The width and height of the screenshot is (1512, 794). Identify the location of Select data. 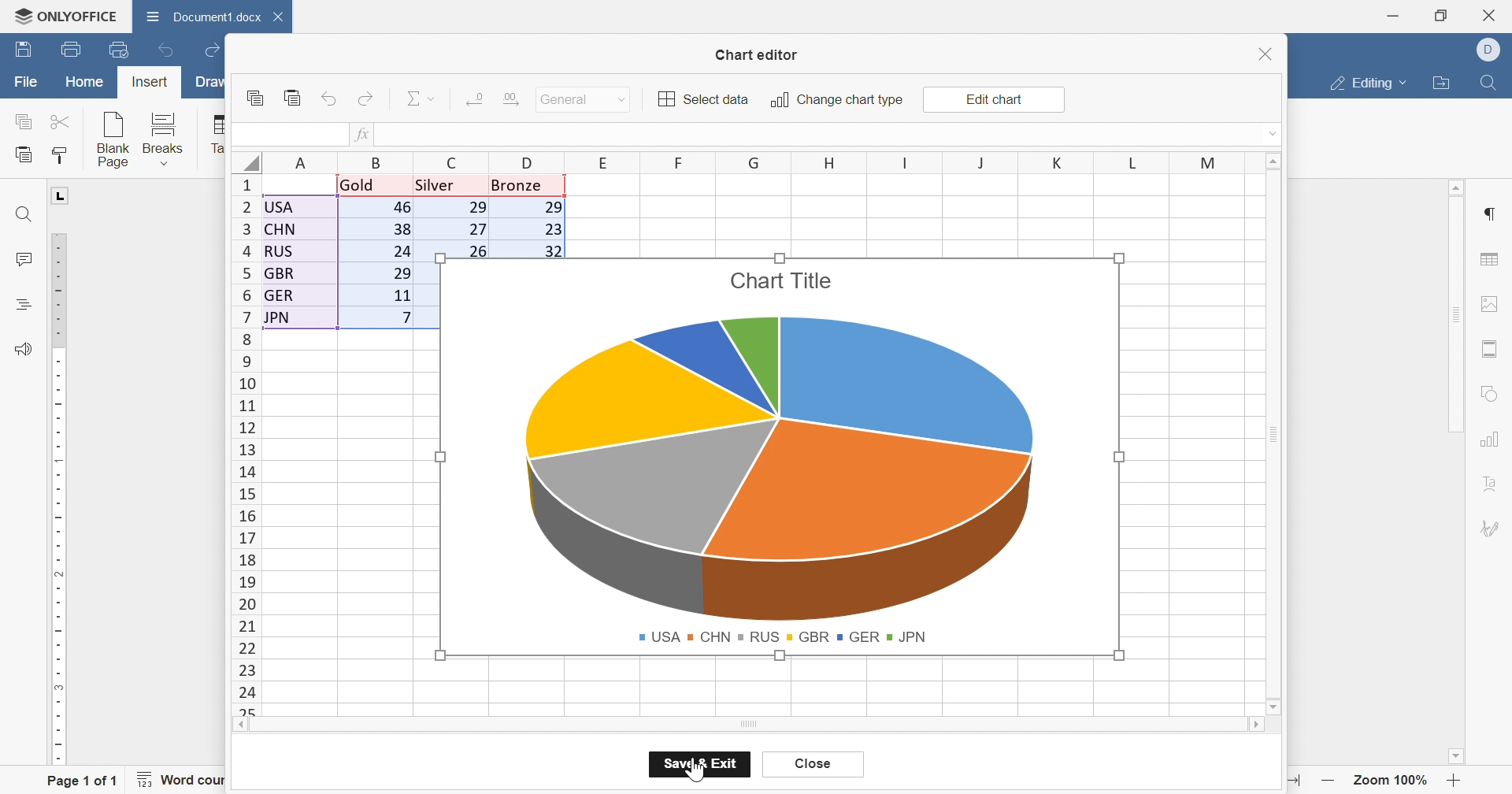
(699, 98).